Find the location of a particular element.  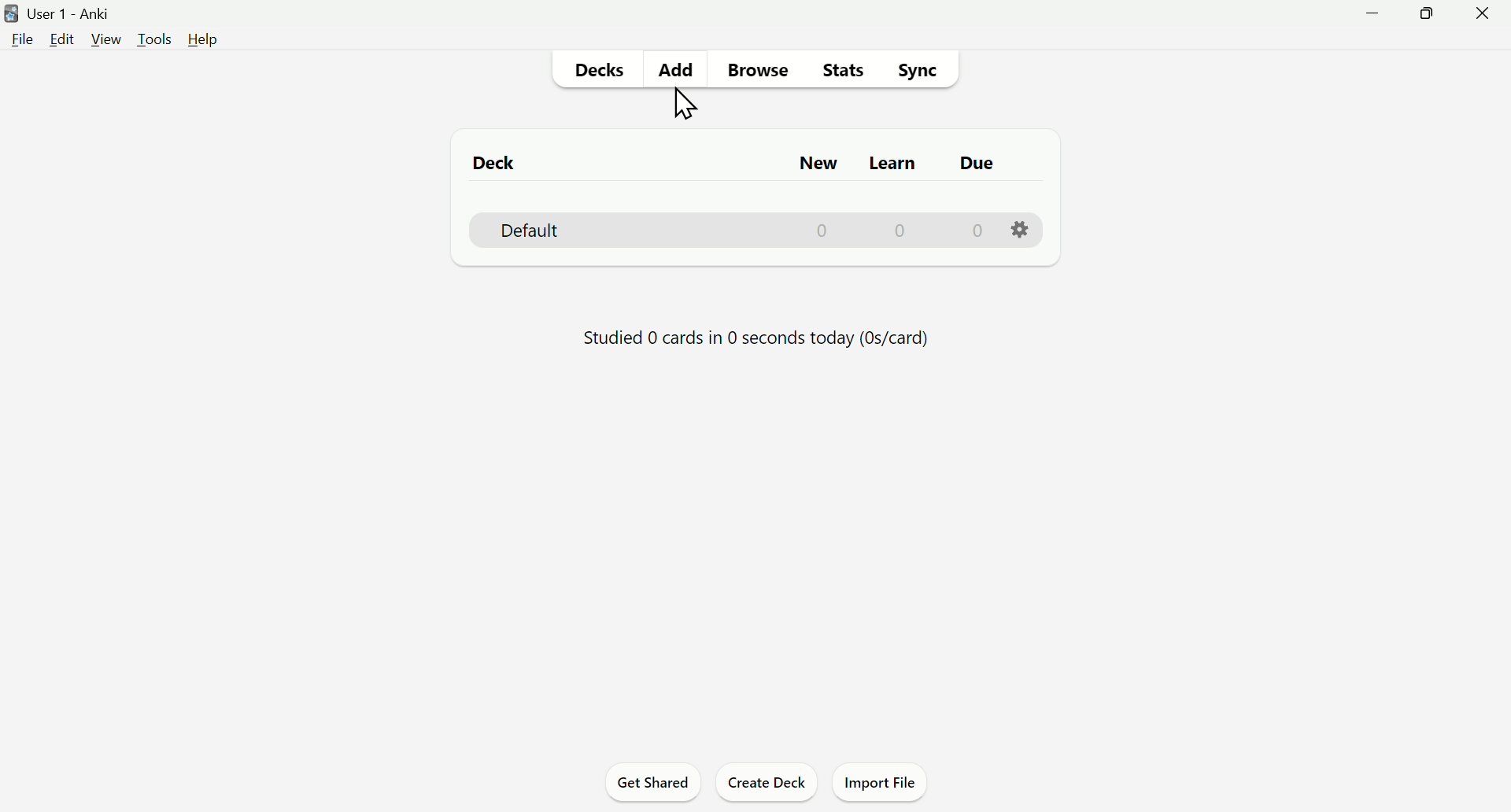

Edit is located at coordinates (64, 36).